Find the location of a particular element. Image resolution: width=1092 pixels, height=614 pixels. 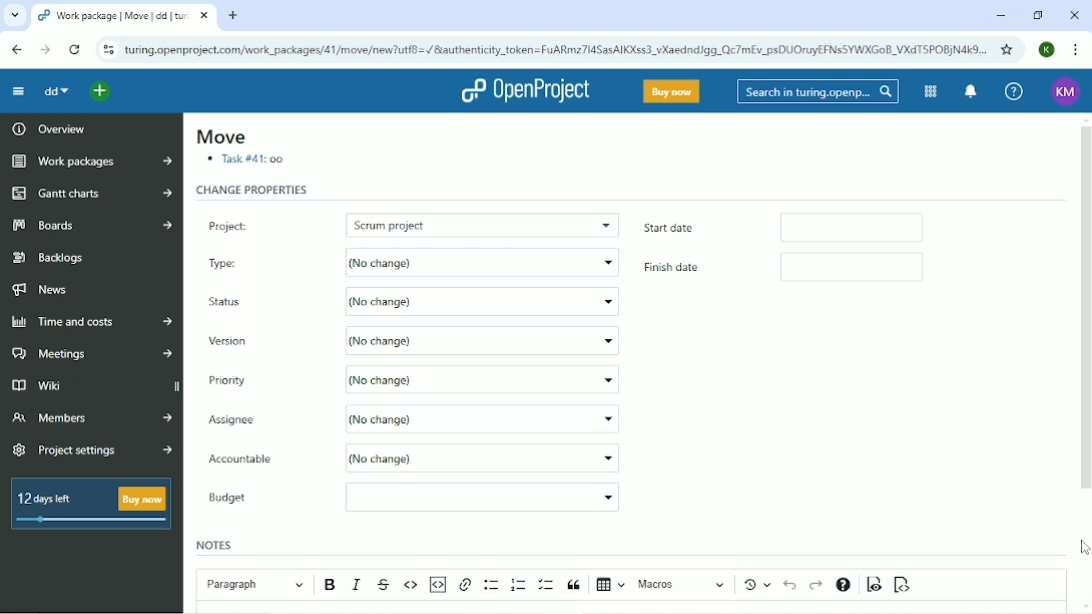

Close is located at coordinates (1073, 16).